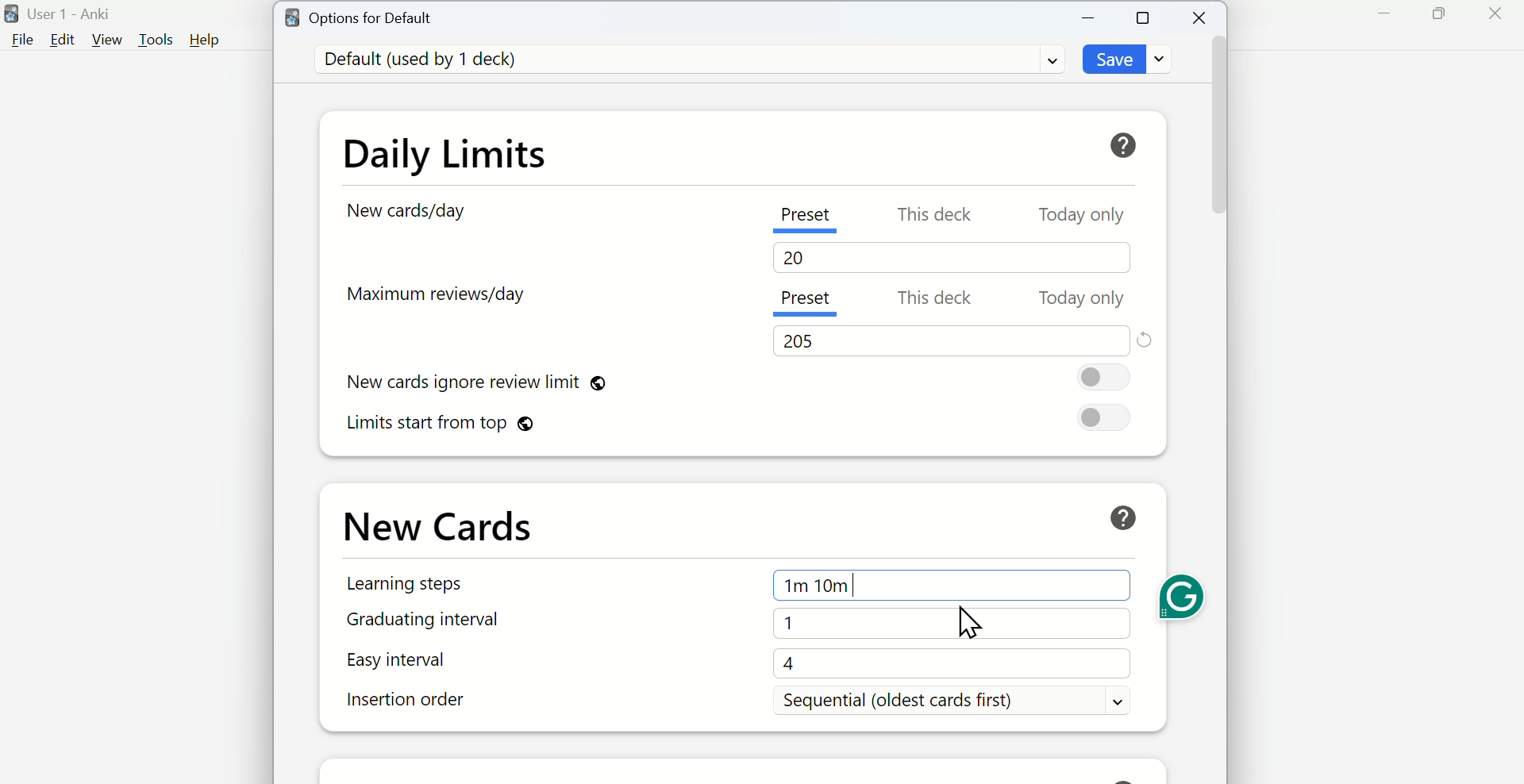 The width and height of the screenshot is (1524, 784). Describe the element at coordinates (407, 211) in the screenshot. I see `New card/day` at that location.